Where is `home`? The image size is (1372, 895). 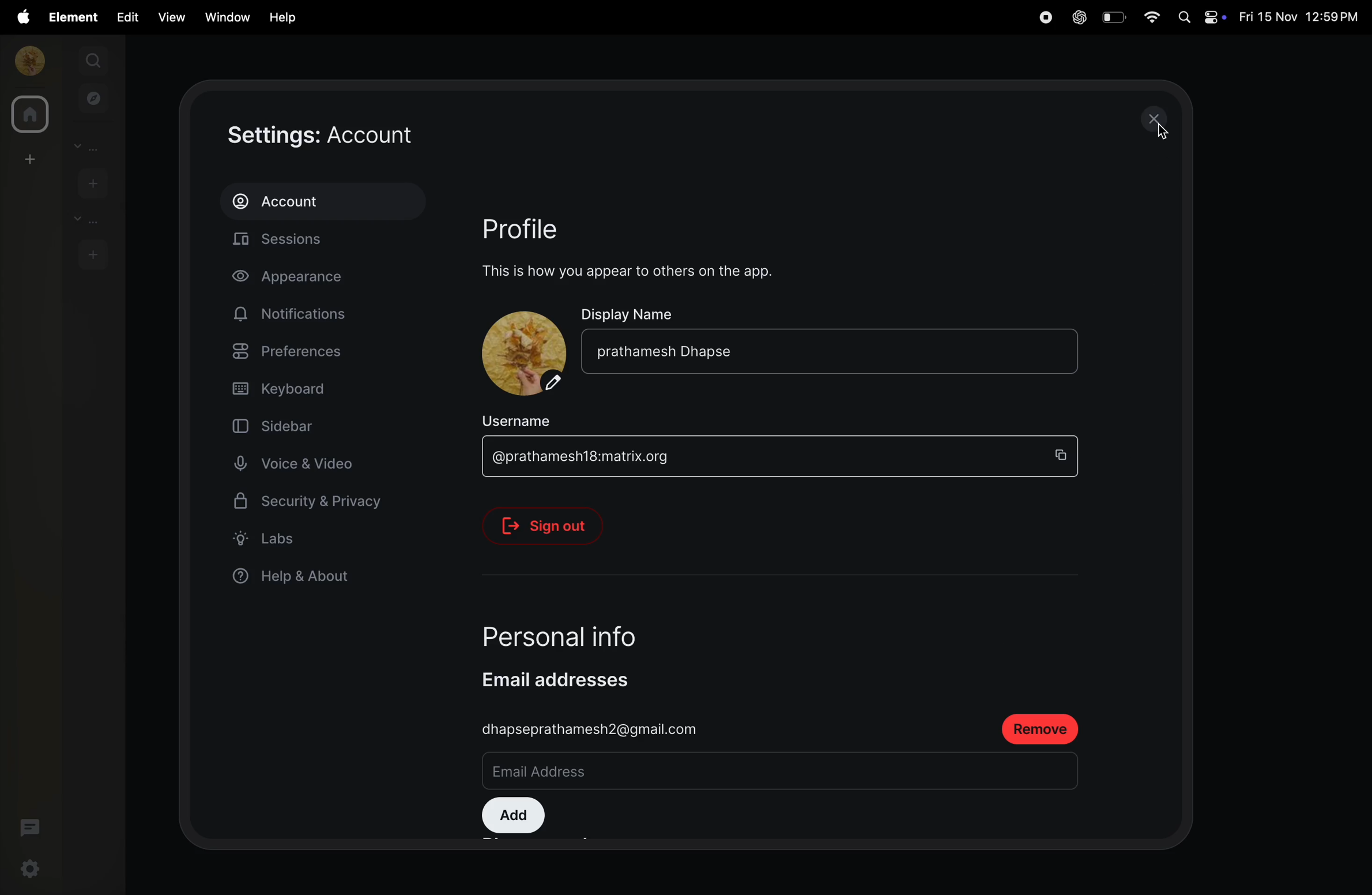
home is located at coordinates (28, 114).